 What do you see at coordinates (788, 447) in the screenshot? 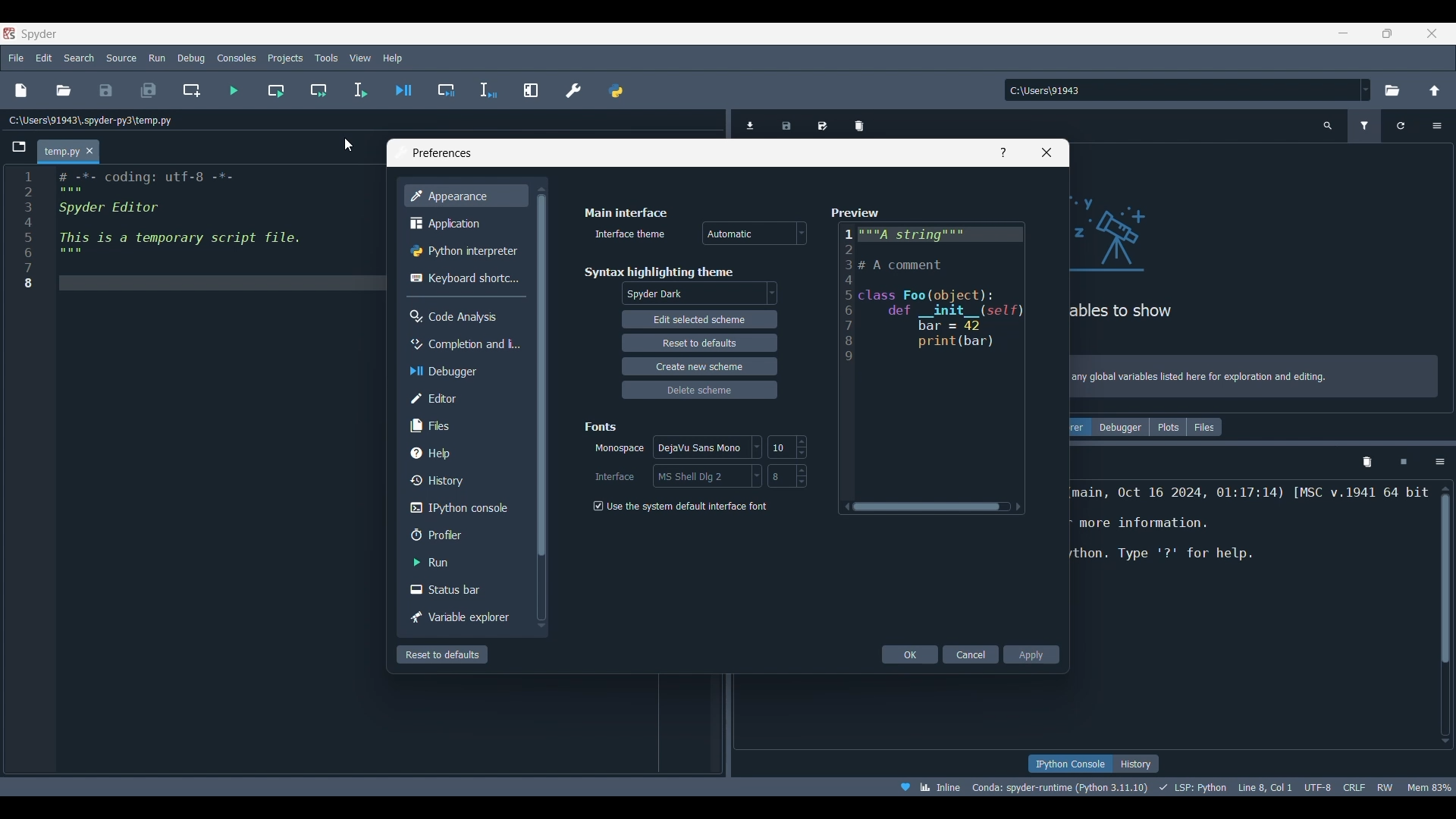
I see `value` at bounding box center [788, 447].